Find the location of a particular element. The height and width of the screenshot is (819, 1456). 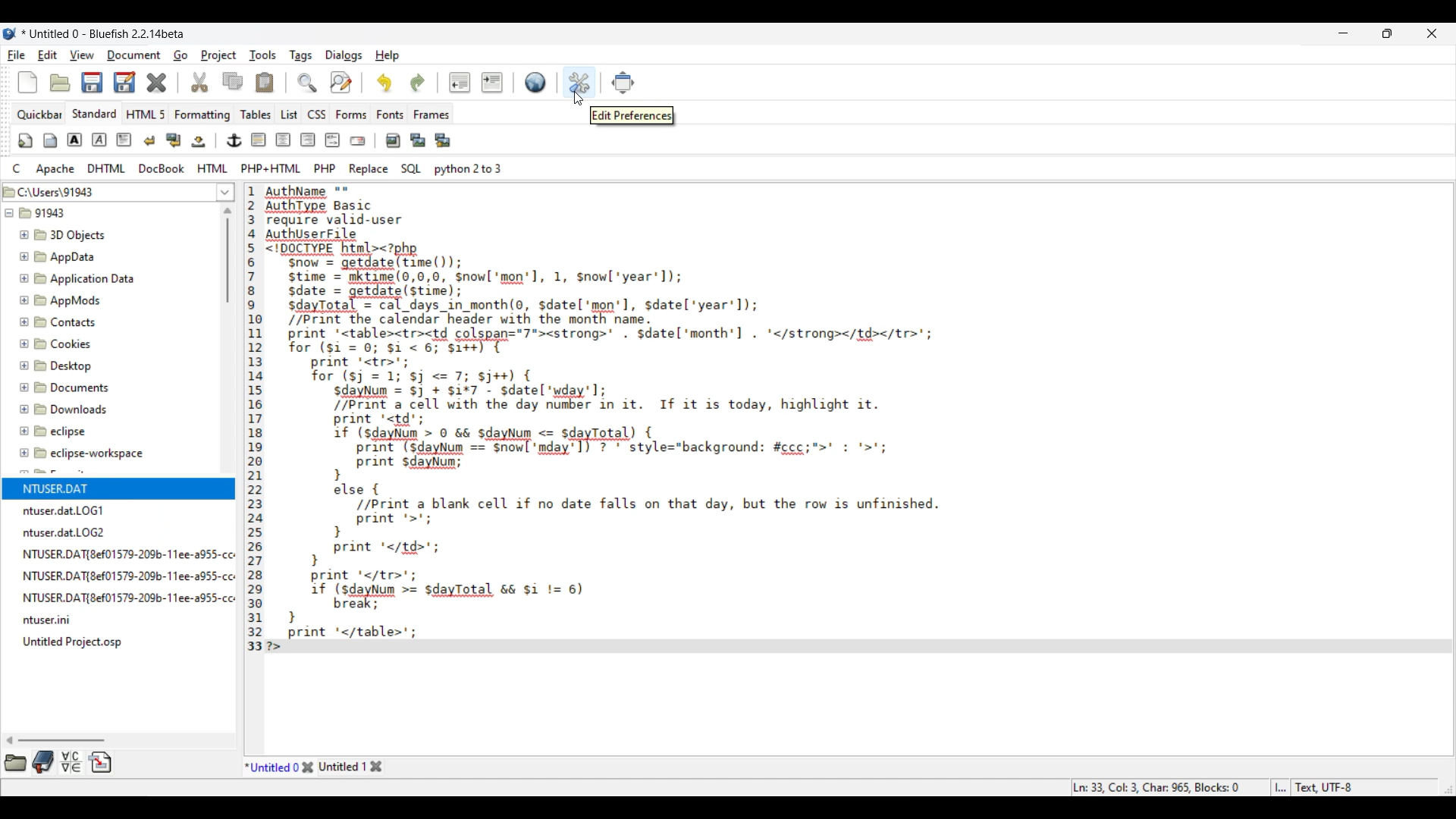

Delete  is located at coordinates (157, 83).